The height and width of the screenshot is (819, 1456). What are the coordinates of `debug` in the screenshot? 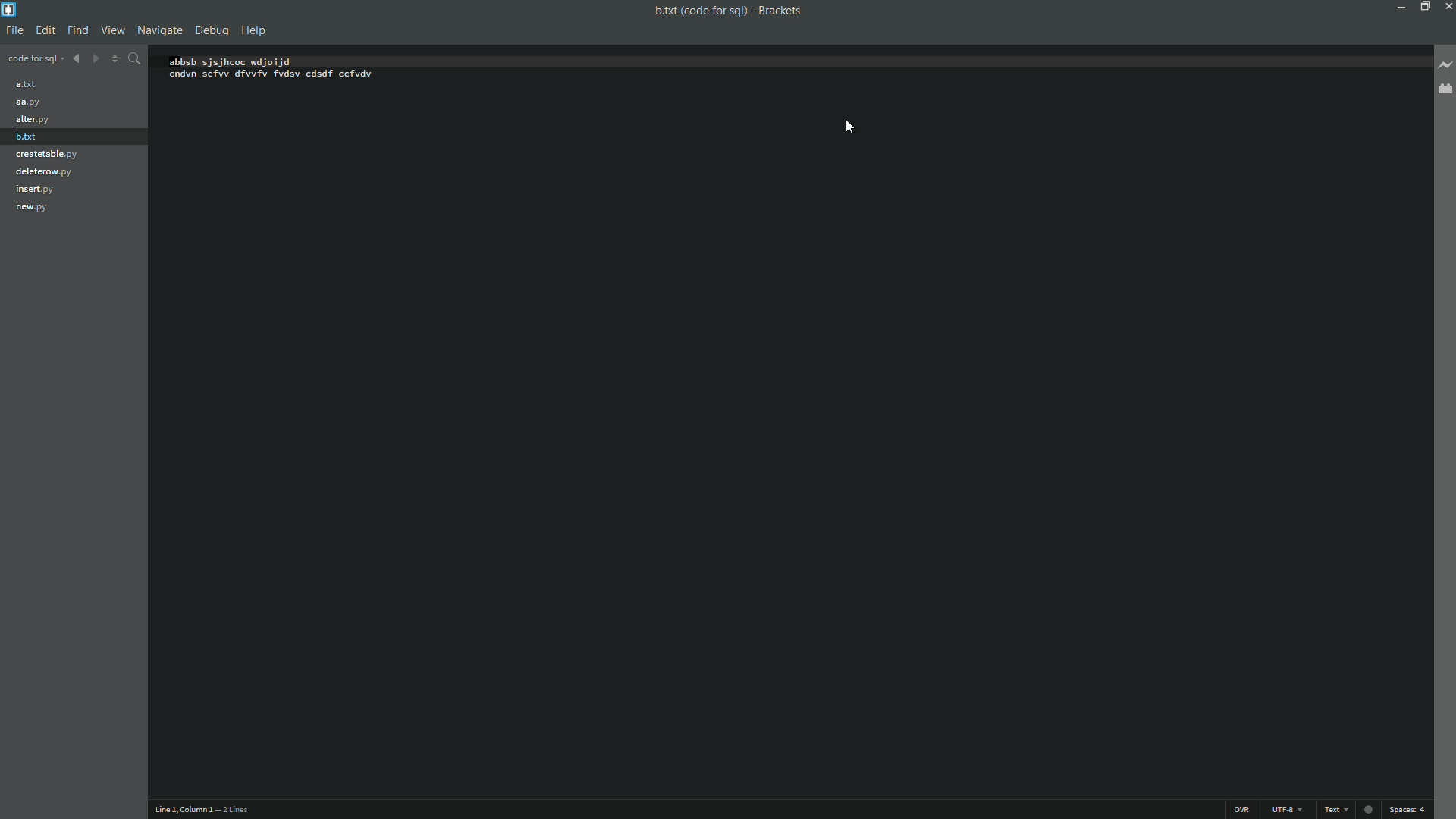 It's located at (212, 30).